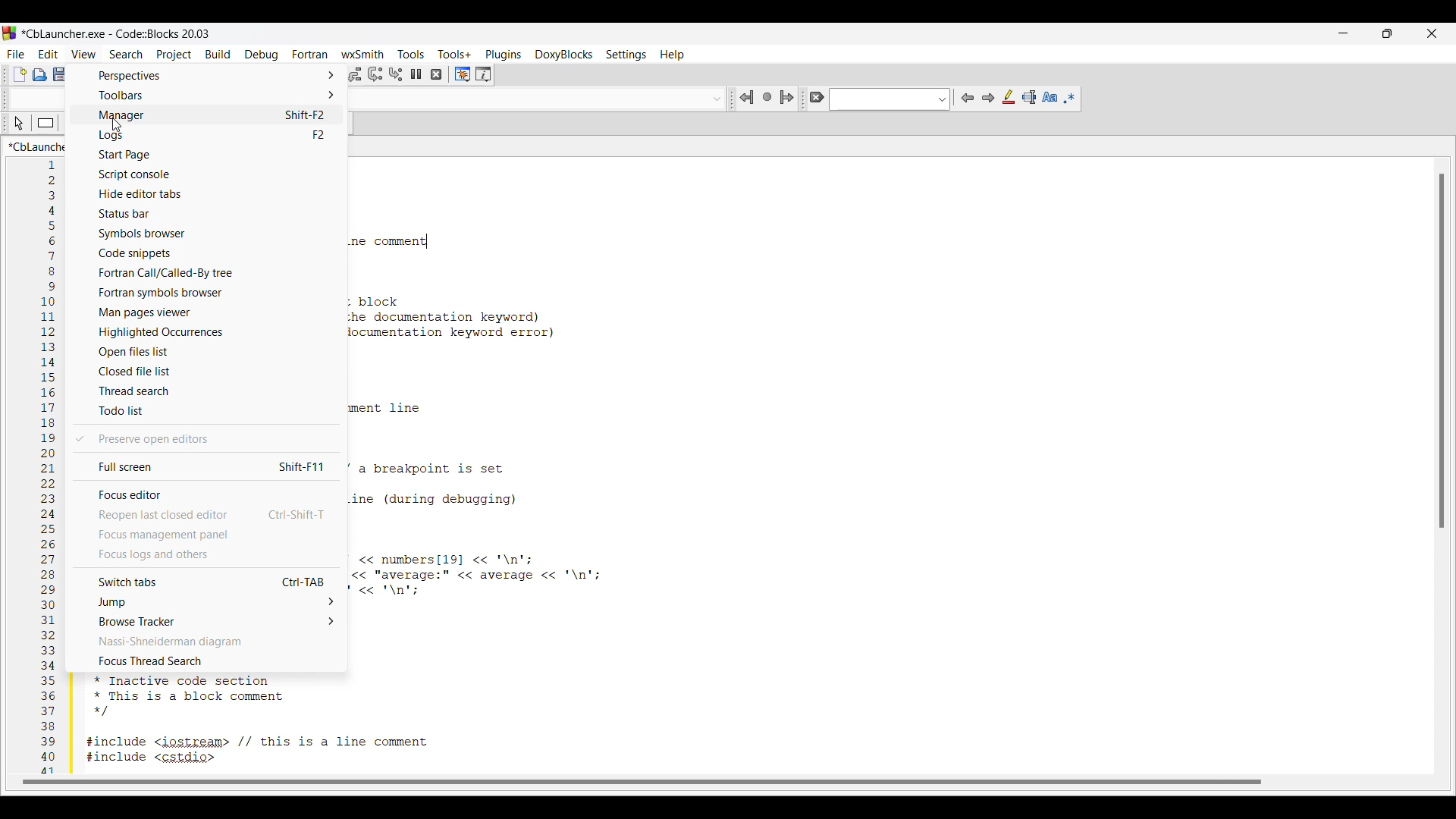 This screenshot has width=1456, height=819. What do you see at coordinates (563, 55) in the screenshot?
I see `DoxyBlocks menu` at bounding box center [563, 55].